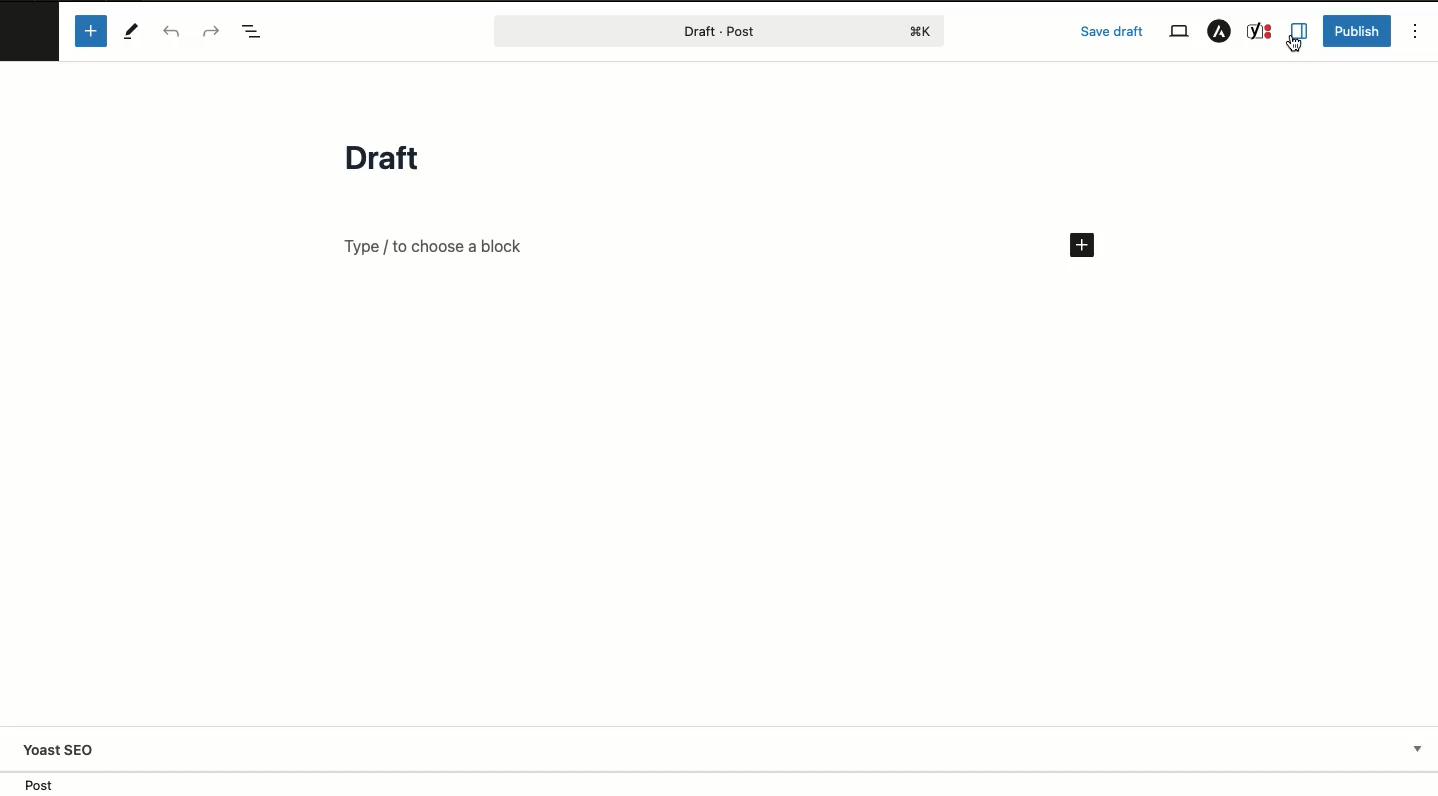 Image resolution: width=1438 pixels, height=796 pixels. I want to click on add, so click(1085, 245).